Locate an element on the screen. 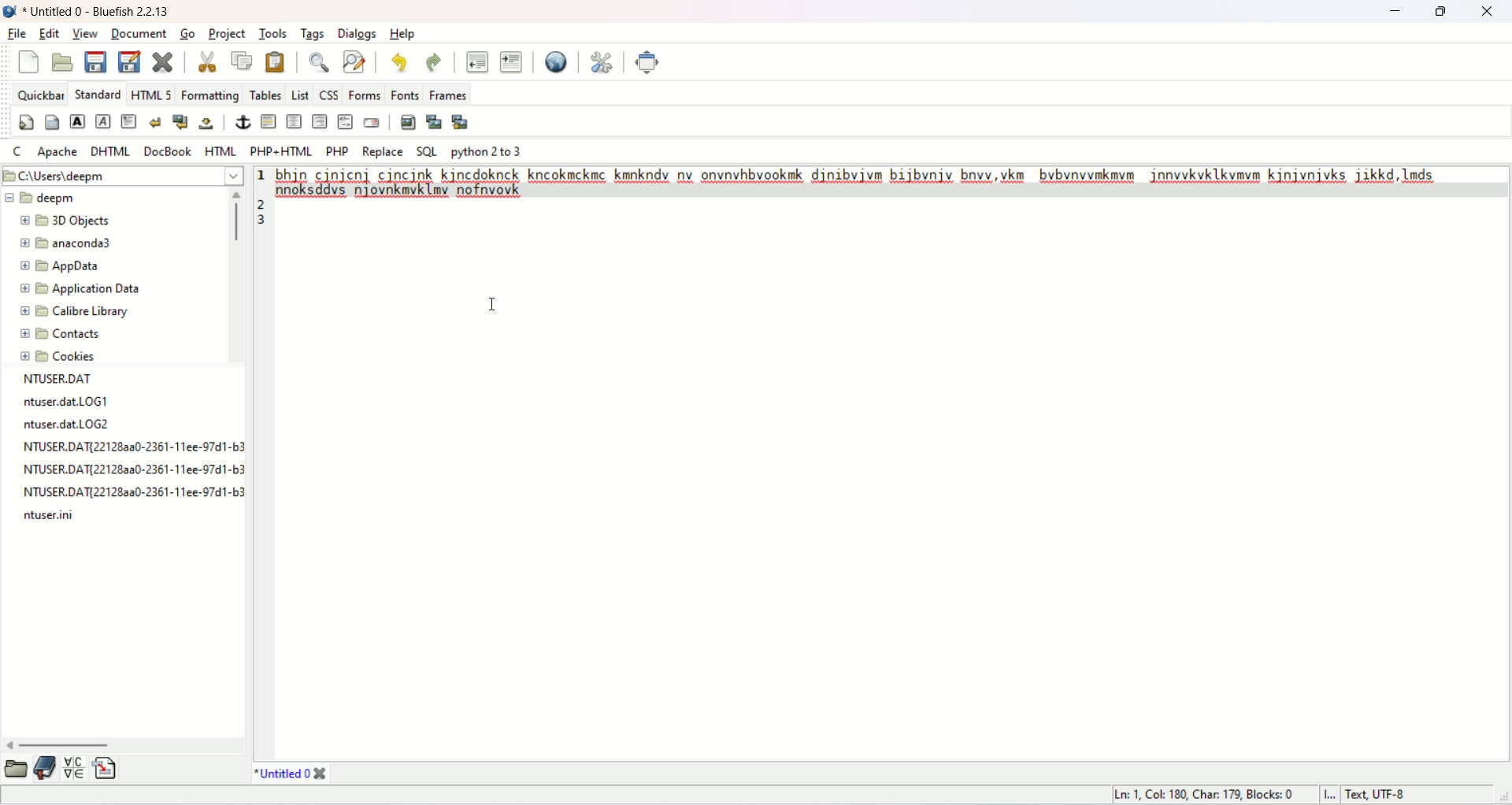 This screenshot has height=805, width=1512. cookies is located at coordinates (60, 358).